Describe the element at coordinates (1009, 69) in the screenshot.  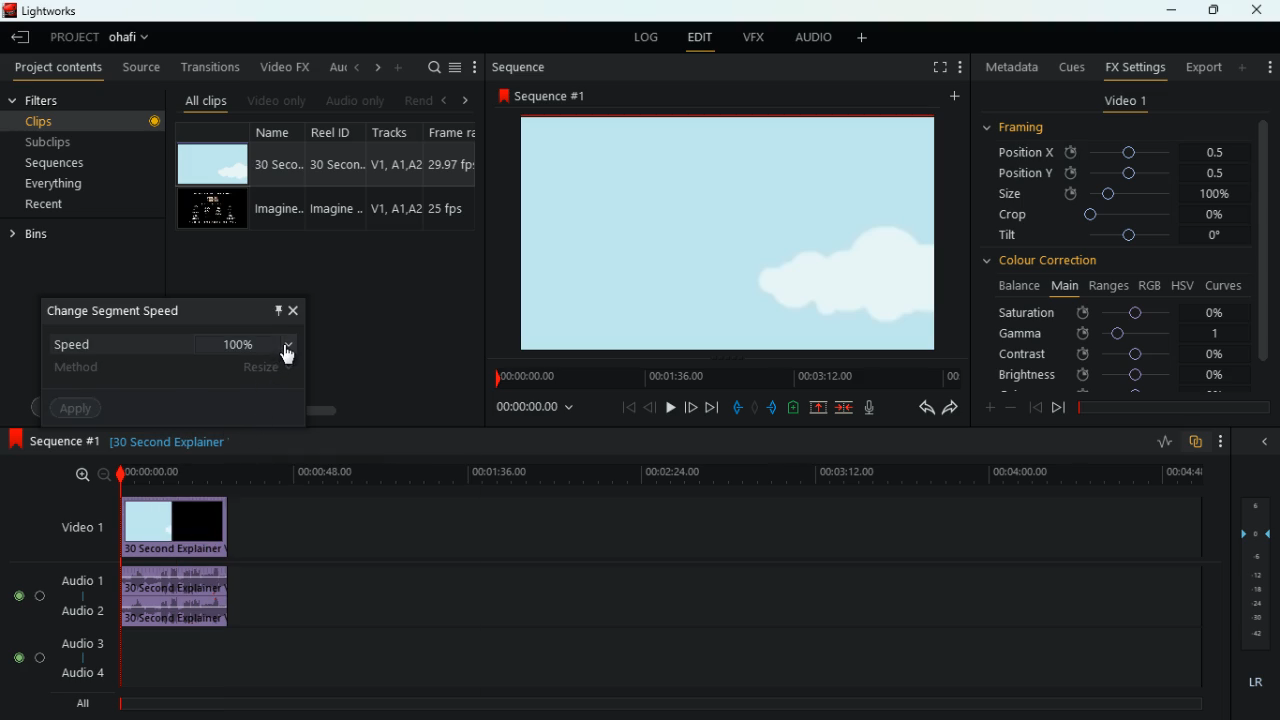
I see `metadata` at that location.